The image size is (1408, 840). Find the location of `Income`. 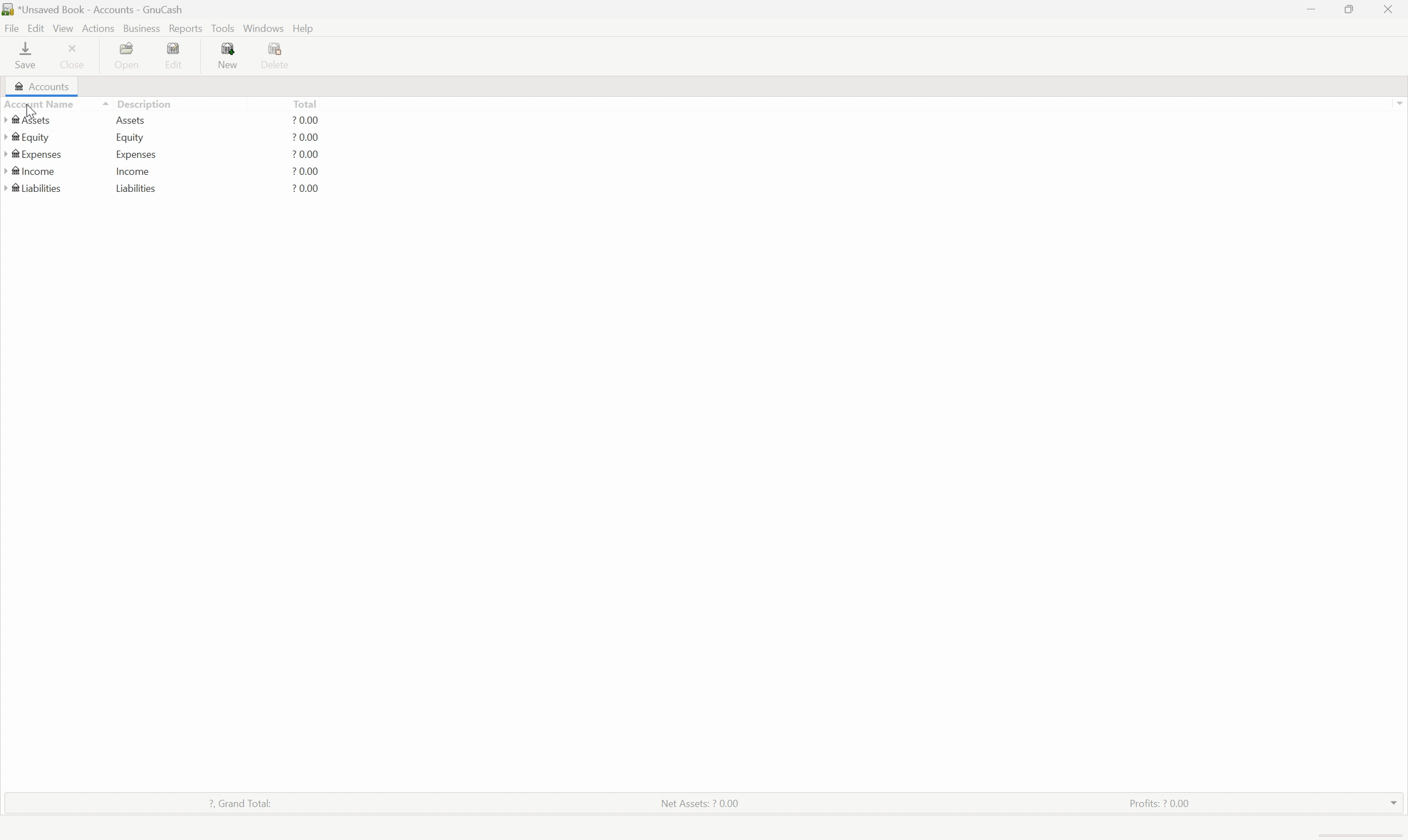

Income is located at coordinates (35, 170).